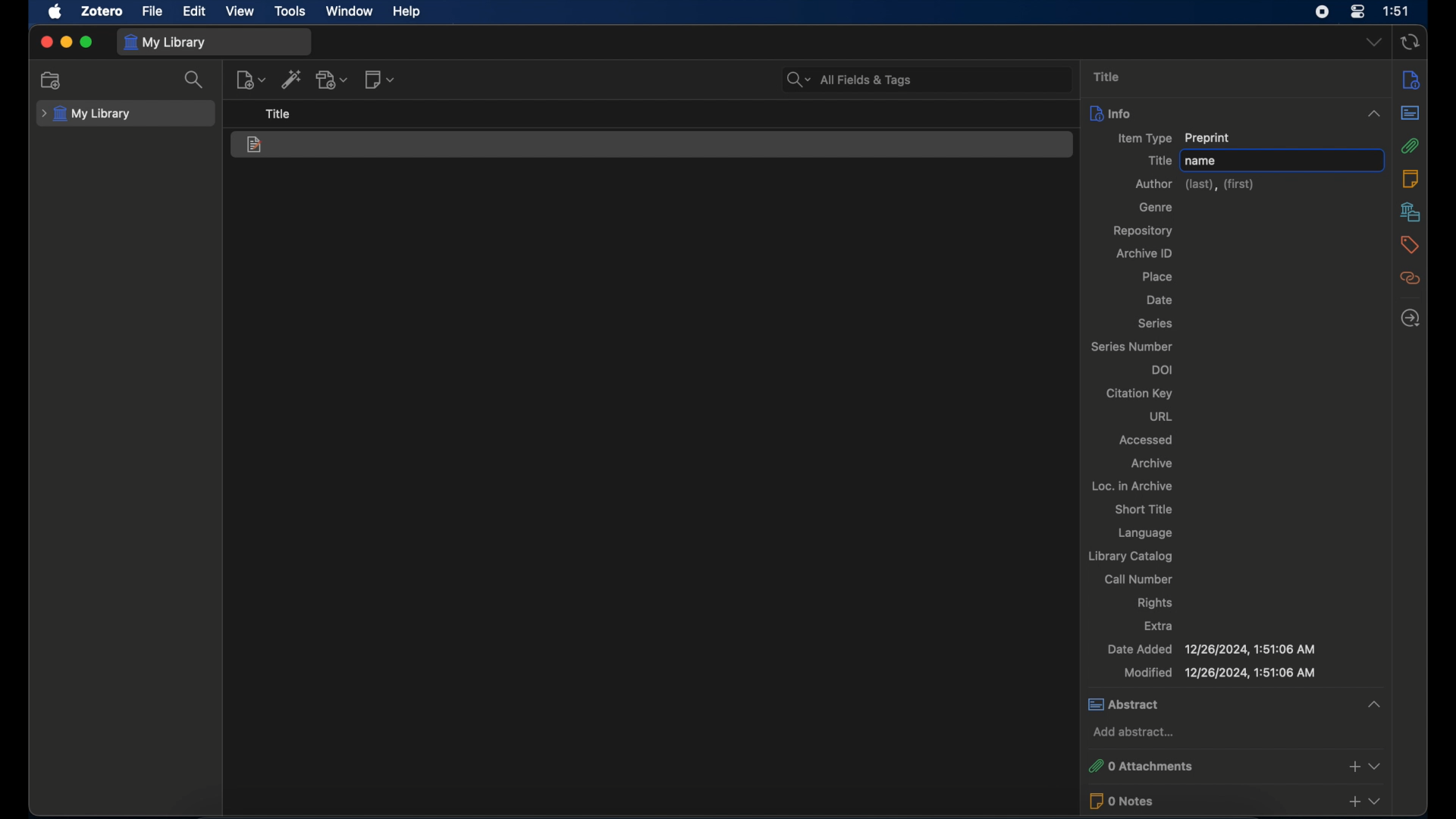  Describe the element at coordinates (1134, 731) in the screenshot. I see `add abstract` at that location.